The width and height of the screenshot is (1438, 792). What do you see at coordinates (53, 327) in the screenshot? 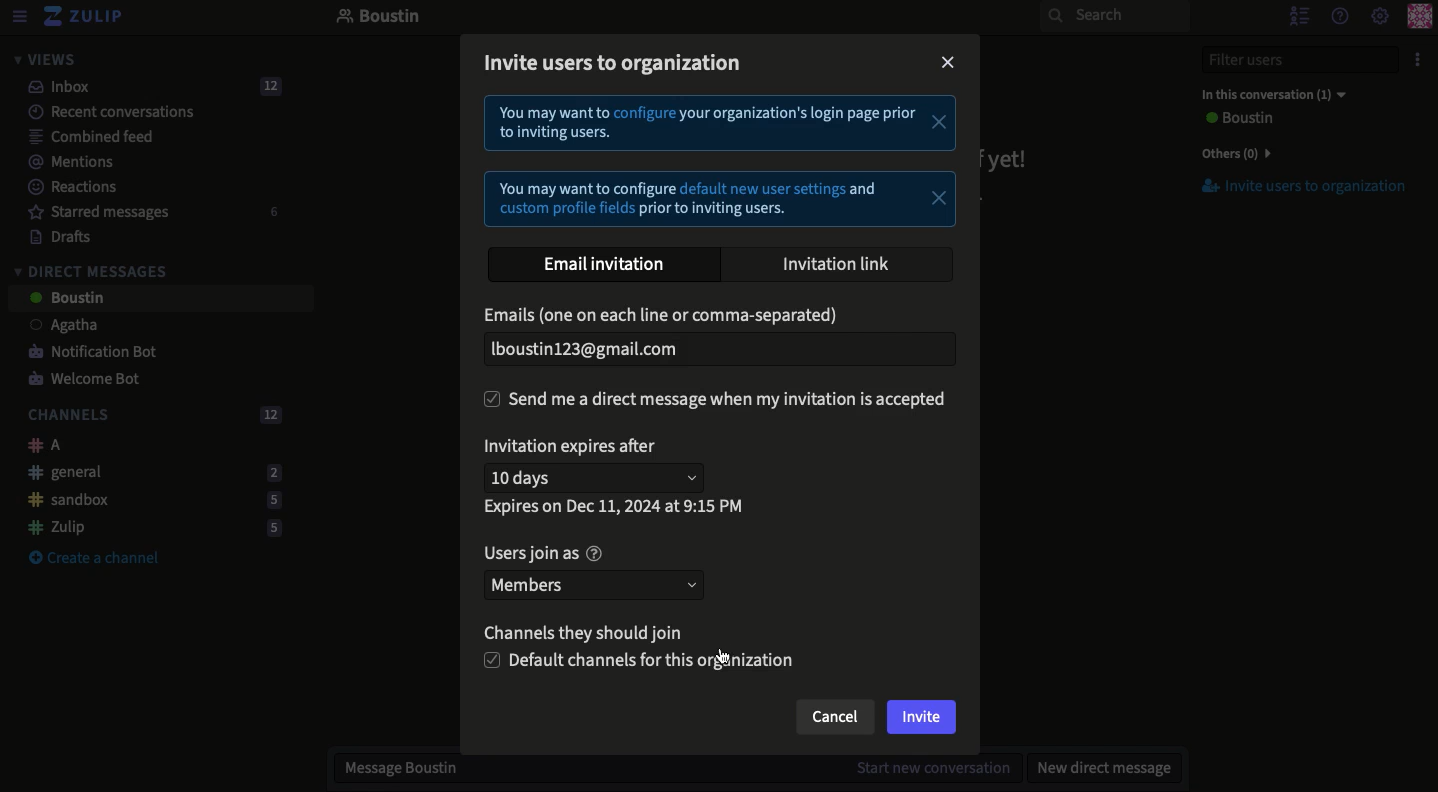
I see `User 1` at bounding box center [53, 327].